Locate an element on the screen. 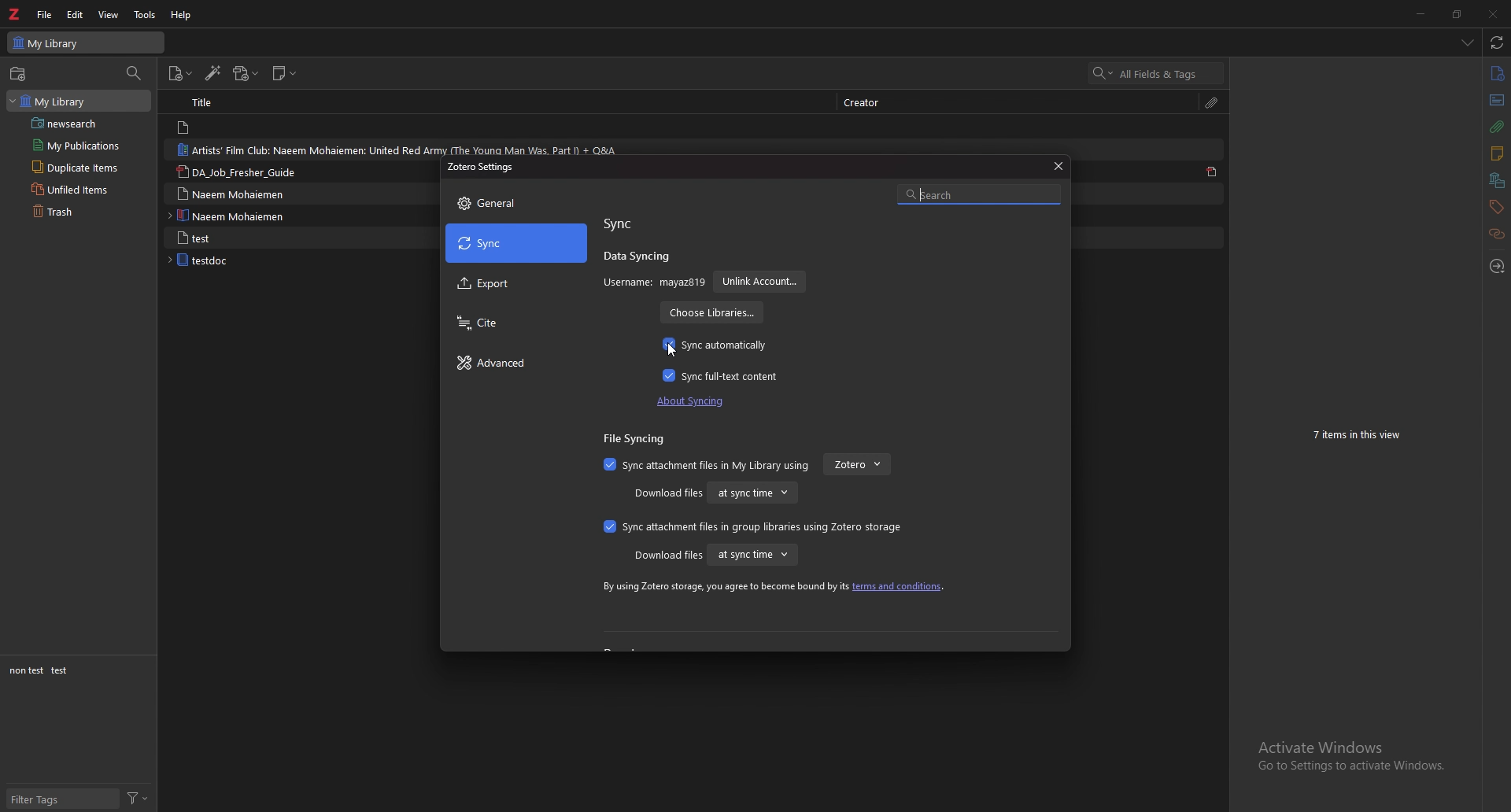 The image size is (1511, 812). about syncing is located at coordinates (696, 401).